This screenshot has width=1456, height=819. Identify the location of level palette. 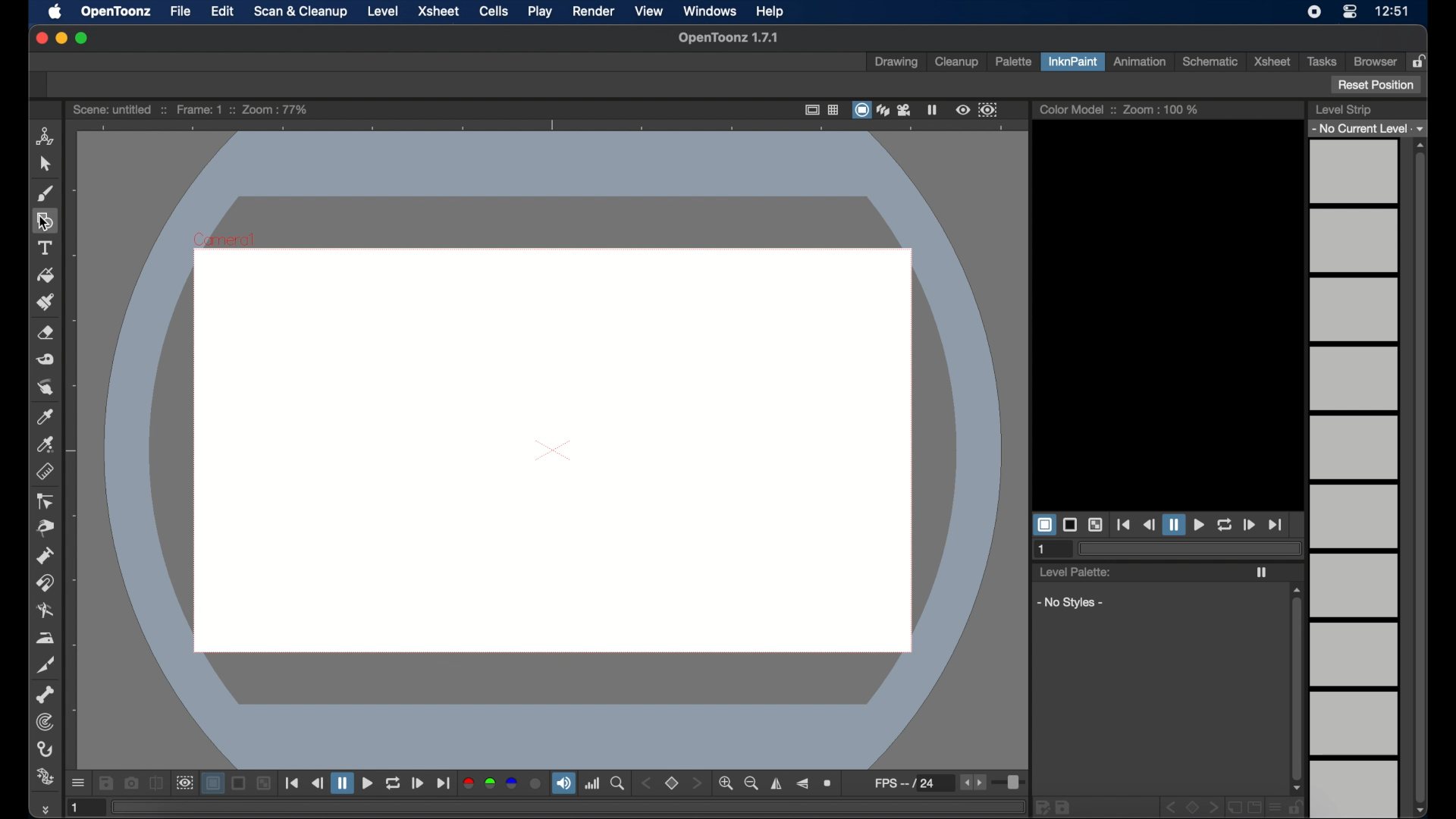
(1075, 571).